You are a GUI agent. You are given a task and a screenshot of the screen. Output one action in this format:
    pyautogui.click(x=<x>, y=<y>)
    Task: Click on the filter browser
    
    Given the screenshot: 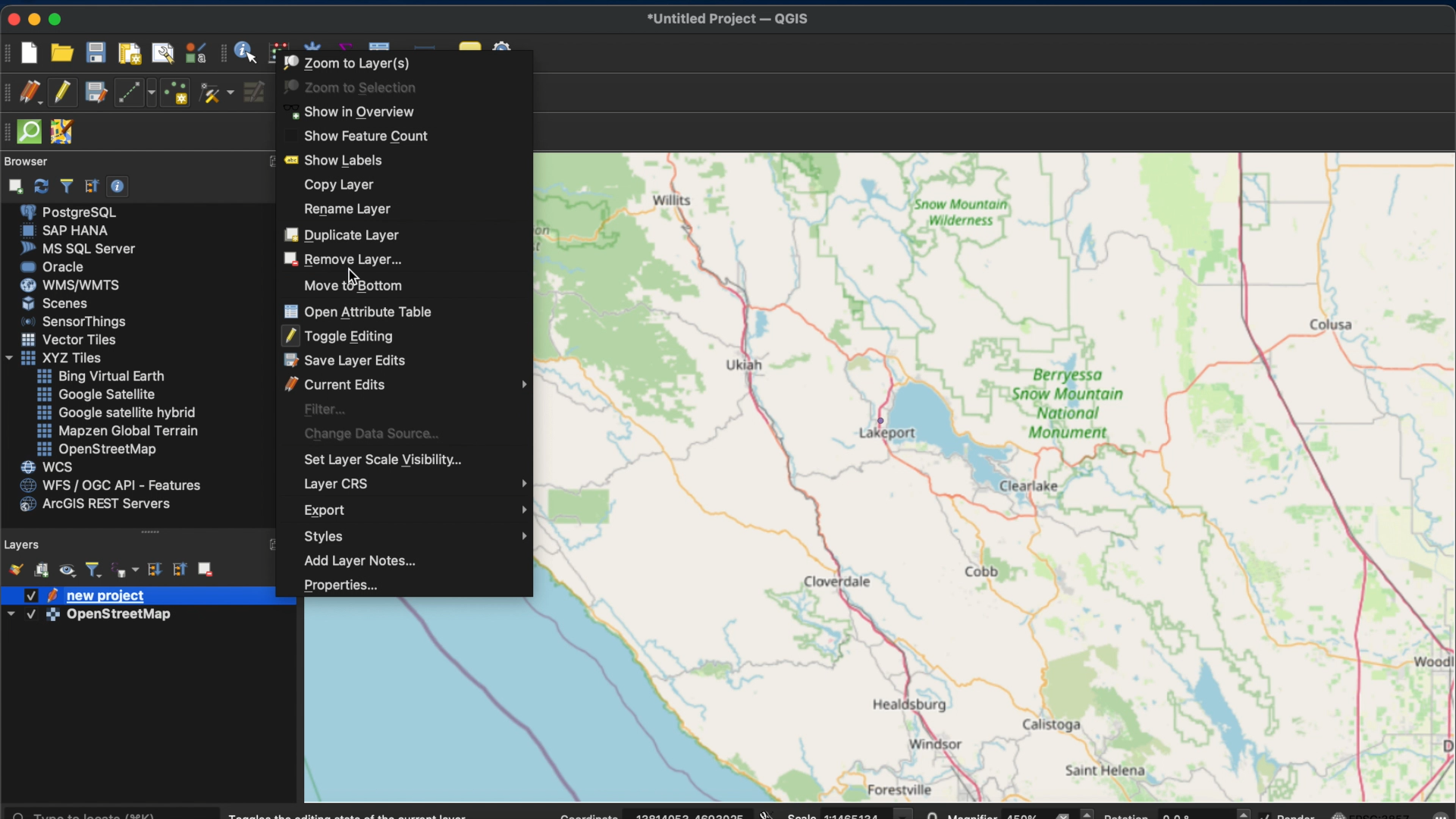 What is the action you would take?
    pyautogui.click(x=65, y=186)
    